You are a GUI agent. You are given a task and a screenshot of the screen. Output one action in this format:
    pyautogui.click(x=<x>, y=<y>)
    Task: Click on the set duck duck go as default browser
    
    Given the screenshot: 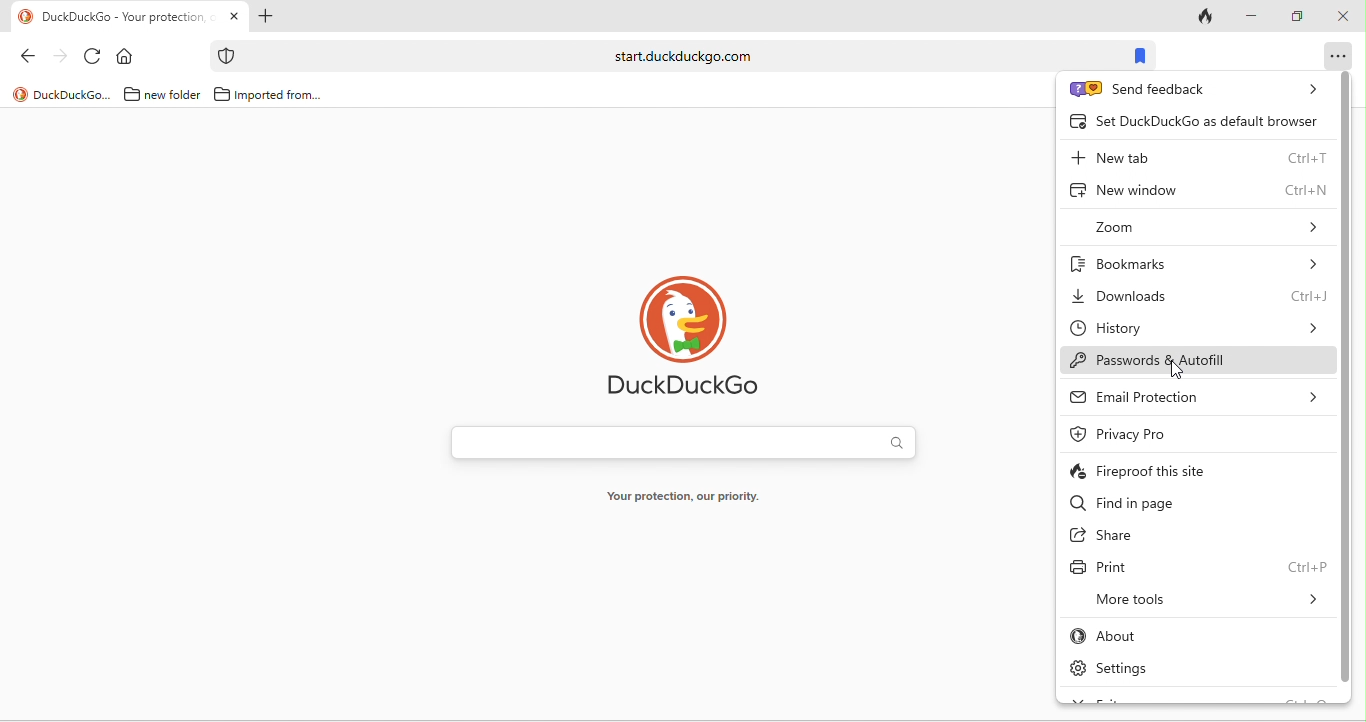 What is the action you would take?
    pyautogui.click(x=1198, y=121)
    